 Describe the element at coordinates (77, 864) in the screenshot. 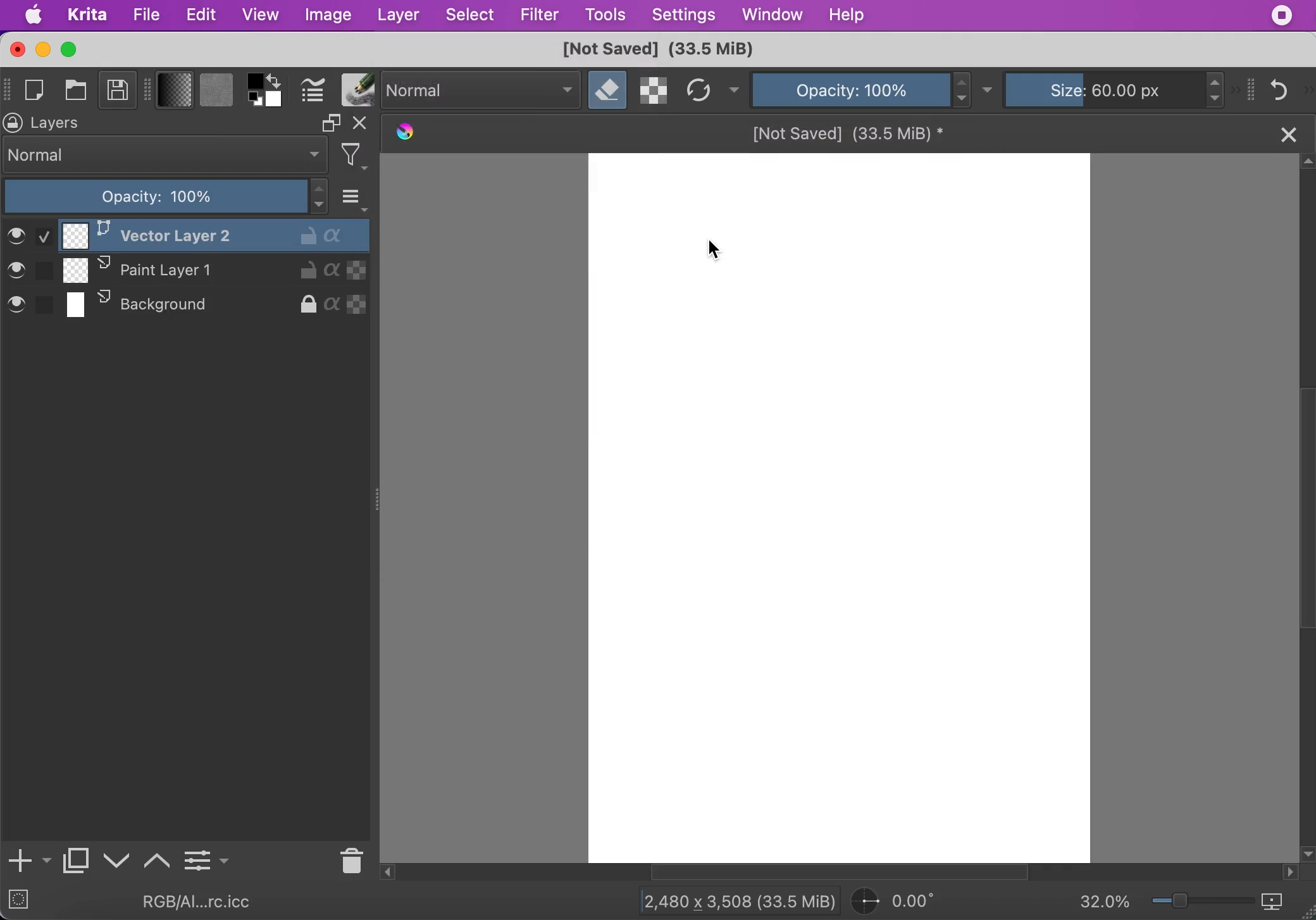

I see `duplicate layer or mask` at that location.